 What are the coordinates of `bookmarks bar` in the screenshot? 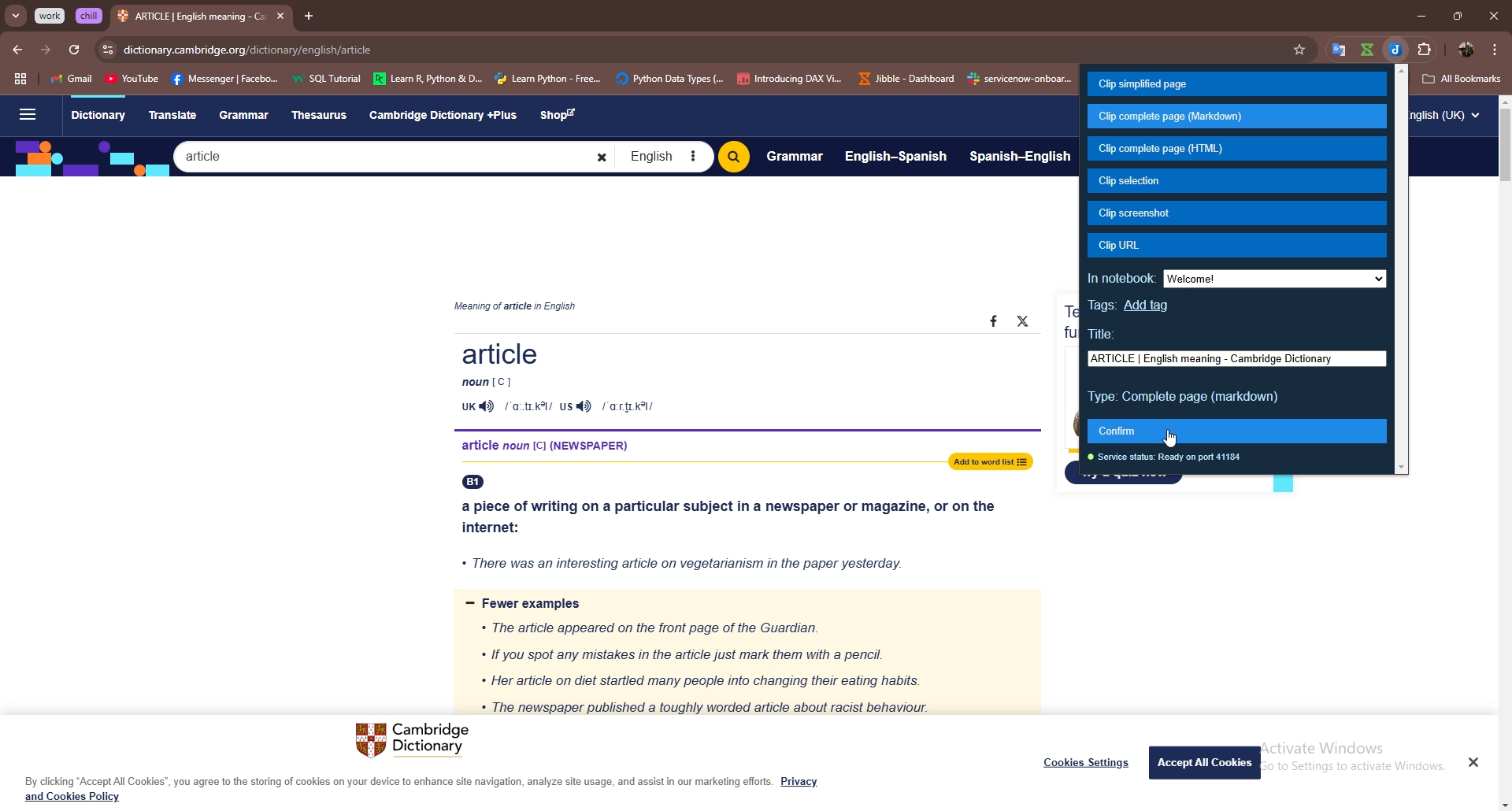 It's located at (563, 77).